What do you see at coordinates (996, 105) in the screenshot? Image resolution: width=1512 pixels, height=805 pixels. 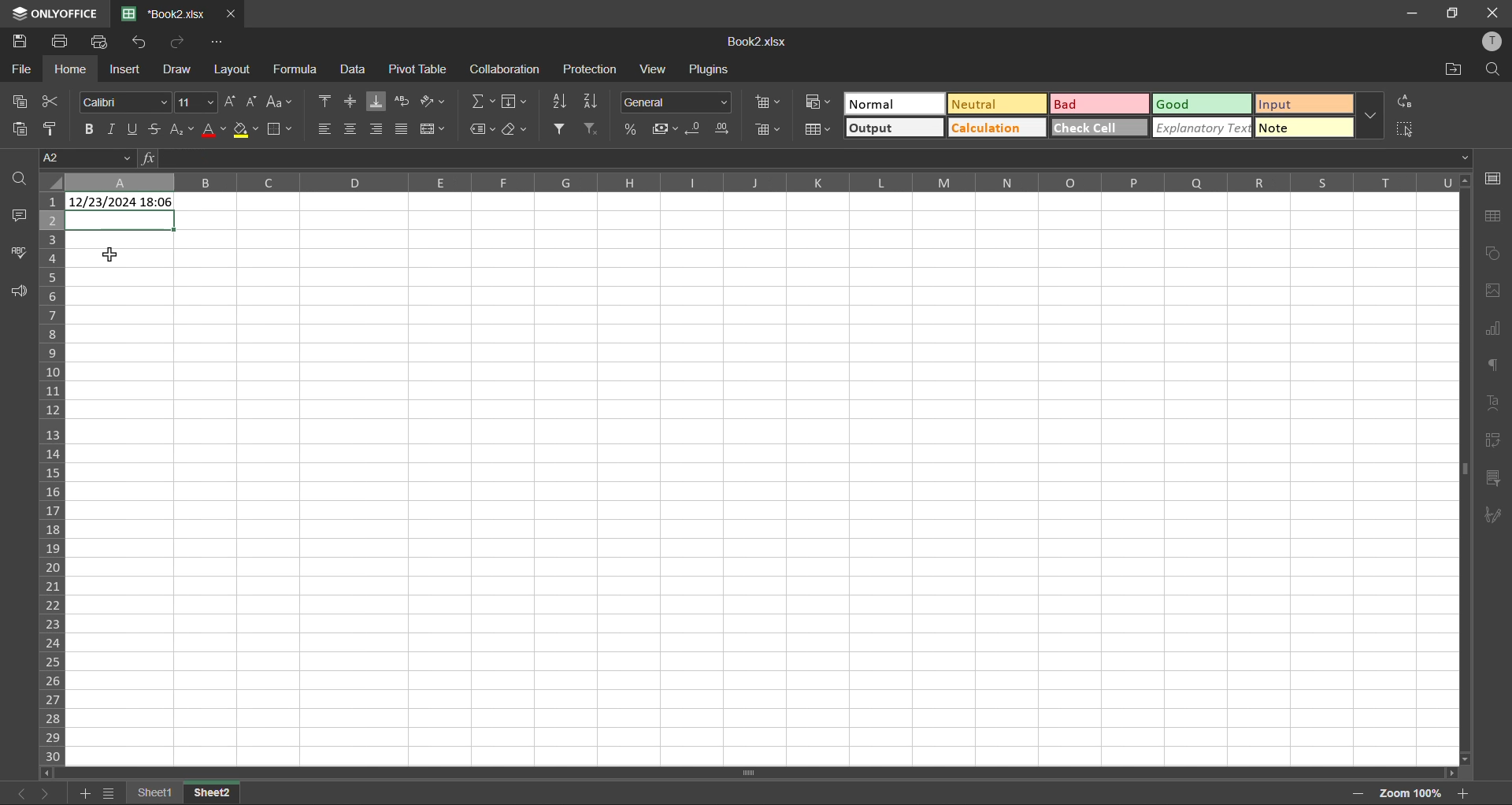 I see `neutral` at bounding box center [996, 105].